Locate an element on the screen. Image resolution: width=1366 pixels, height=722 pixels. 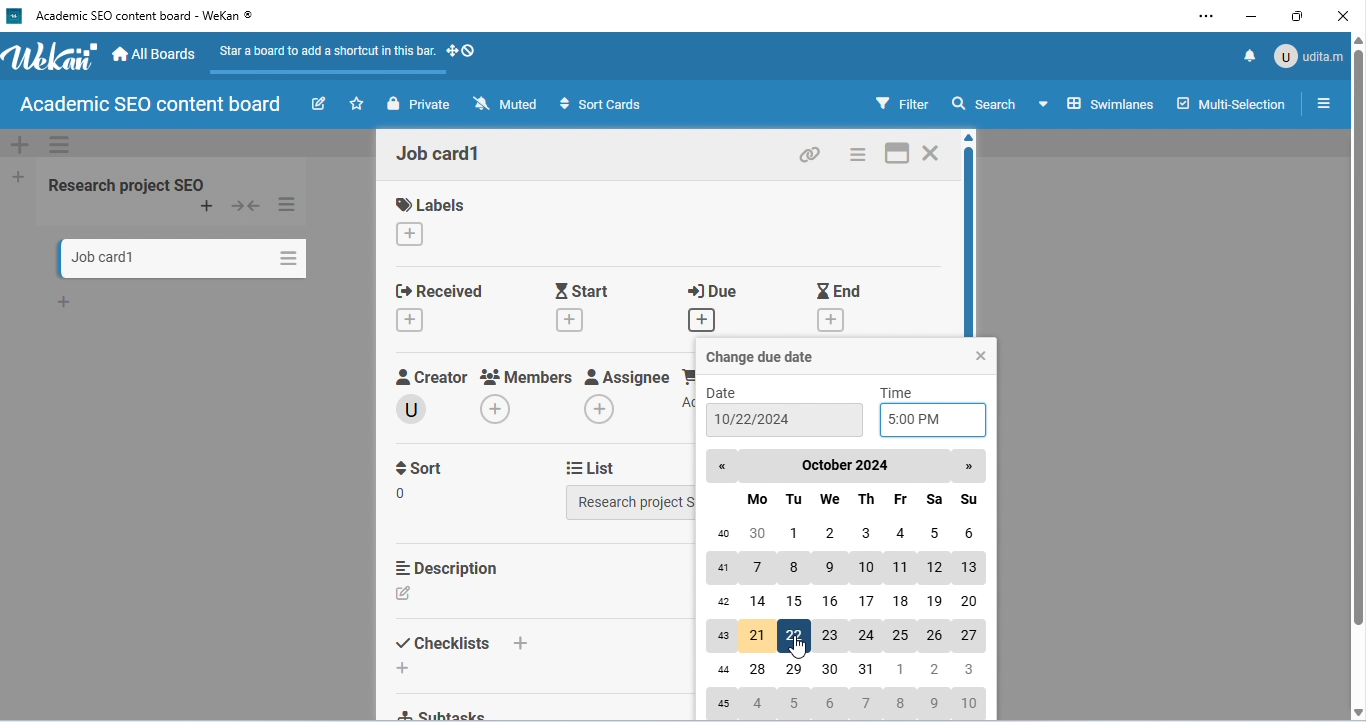
muted is located at coordinates (507, 104).